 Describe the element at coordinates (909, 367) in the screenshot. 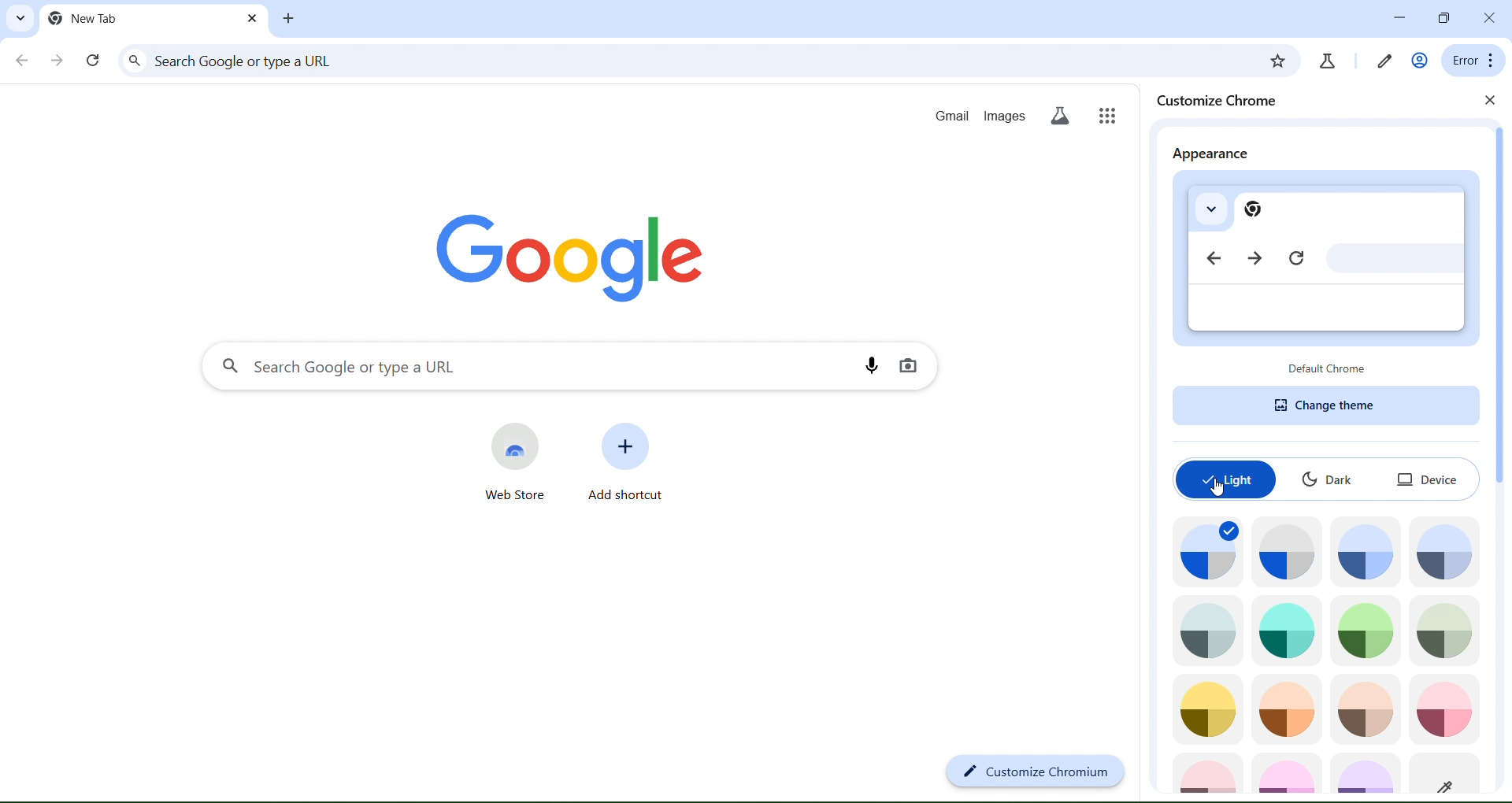

I see `voicesearch` at that location.